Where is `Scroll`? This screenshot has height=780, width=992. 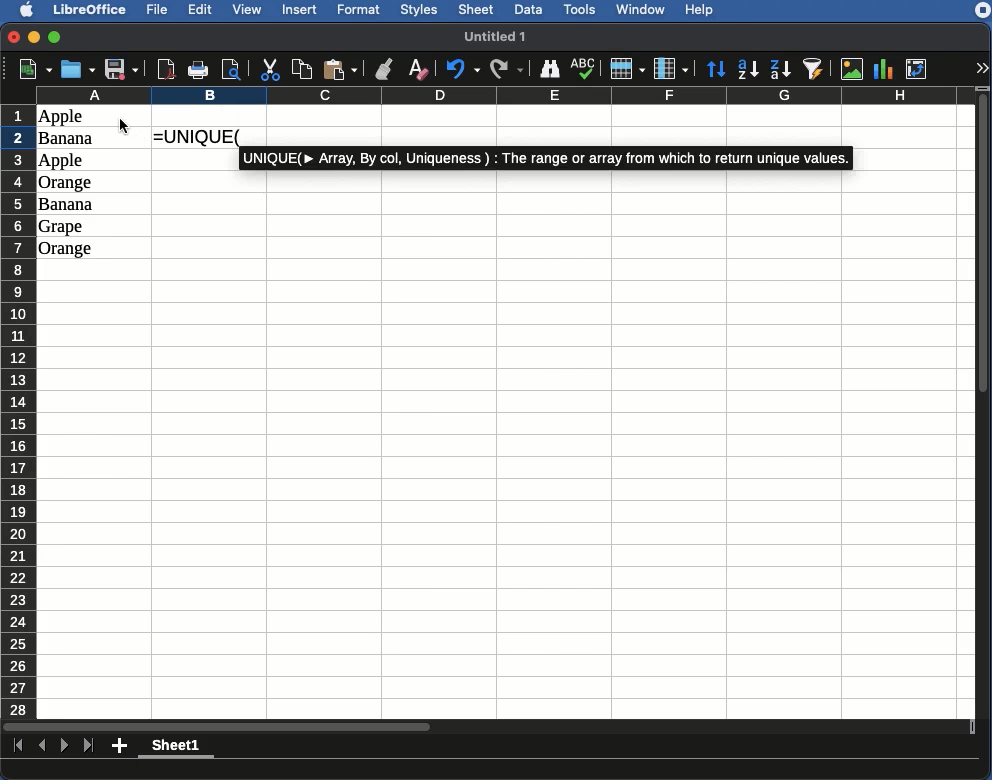
Scroll is located at coordinates (486, 727).